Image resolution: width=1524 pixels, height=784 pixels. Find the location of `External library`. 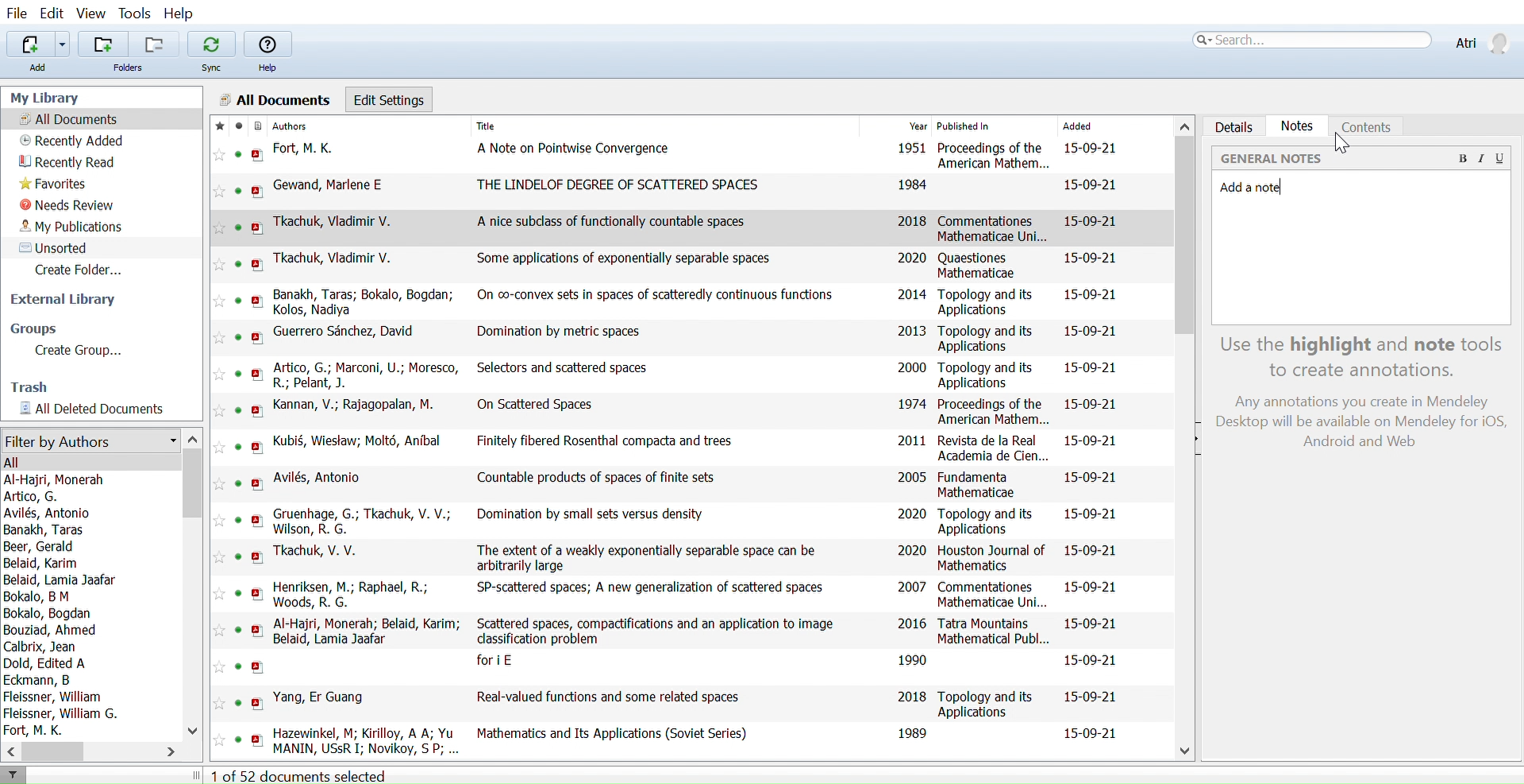

External library is located at coordinates (63, 300).